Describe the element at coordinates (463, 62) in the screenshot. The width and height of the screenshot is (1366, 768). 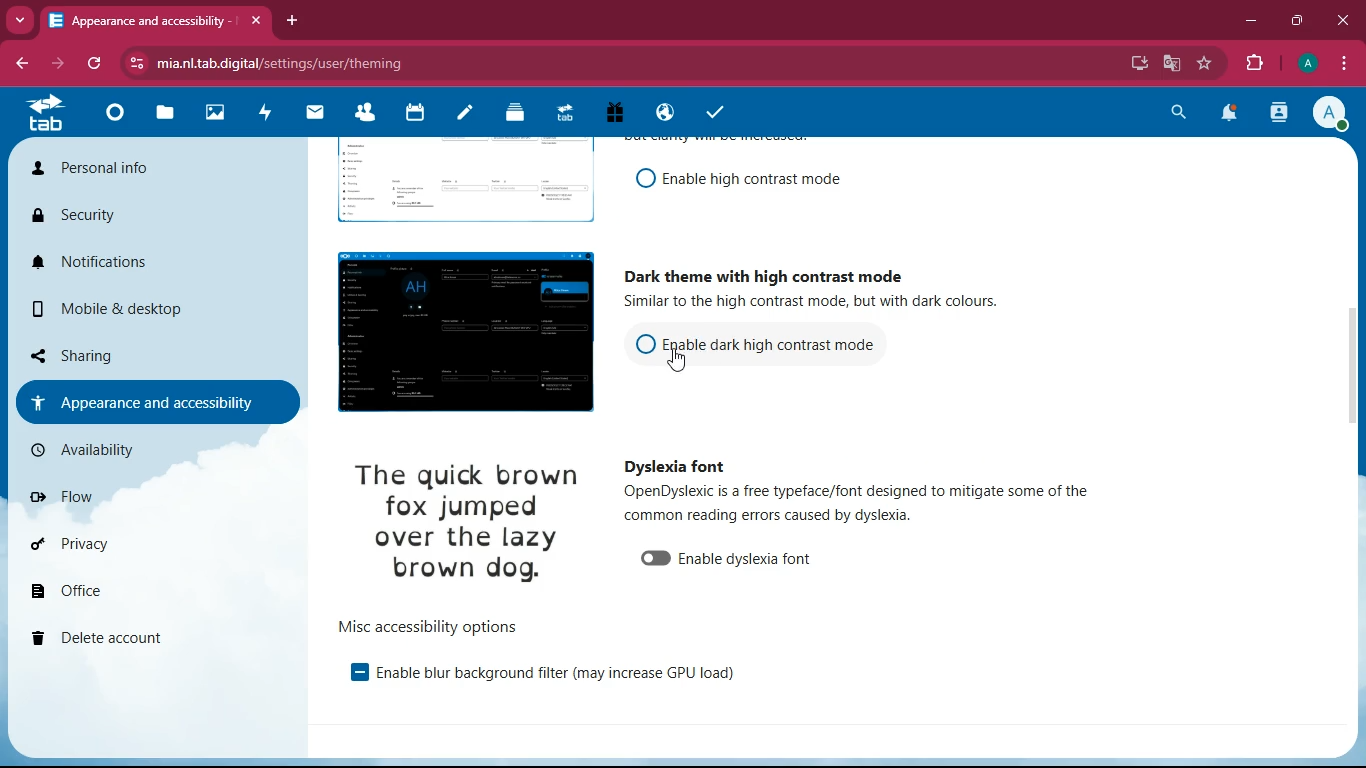
I see `url` at that location.